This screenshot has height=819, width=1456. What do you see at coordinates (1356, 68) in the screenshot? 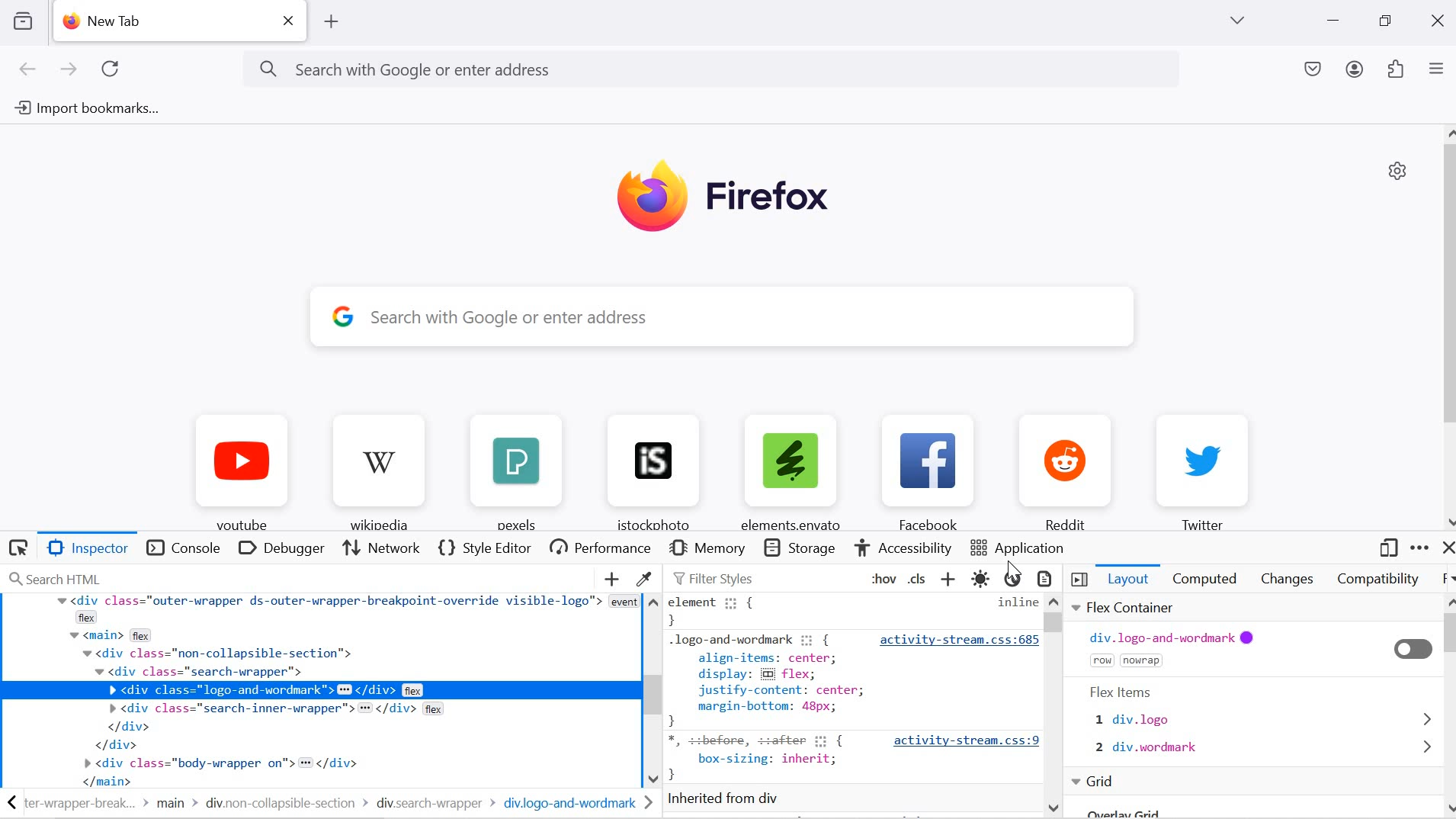
I see `account` at bounding box center [1356, 68].